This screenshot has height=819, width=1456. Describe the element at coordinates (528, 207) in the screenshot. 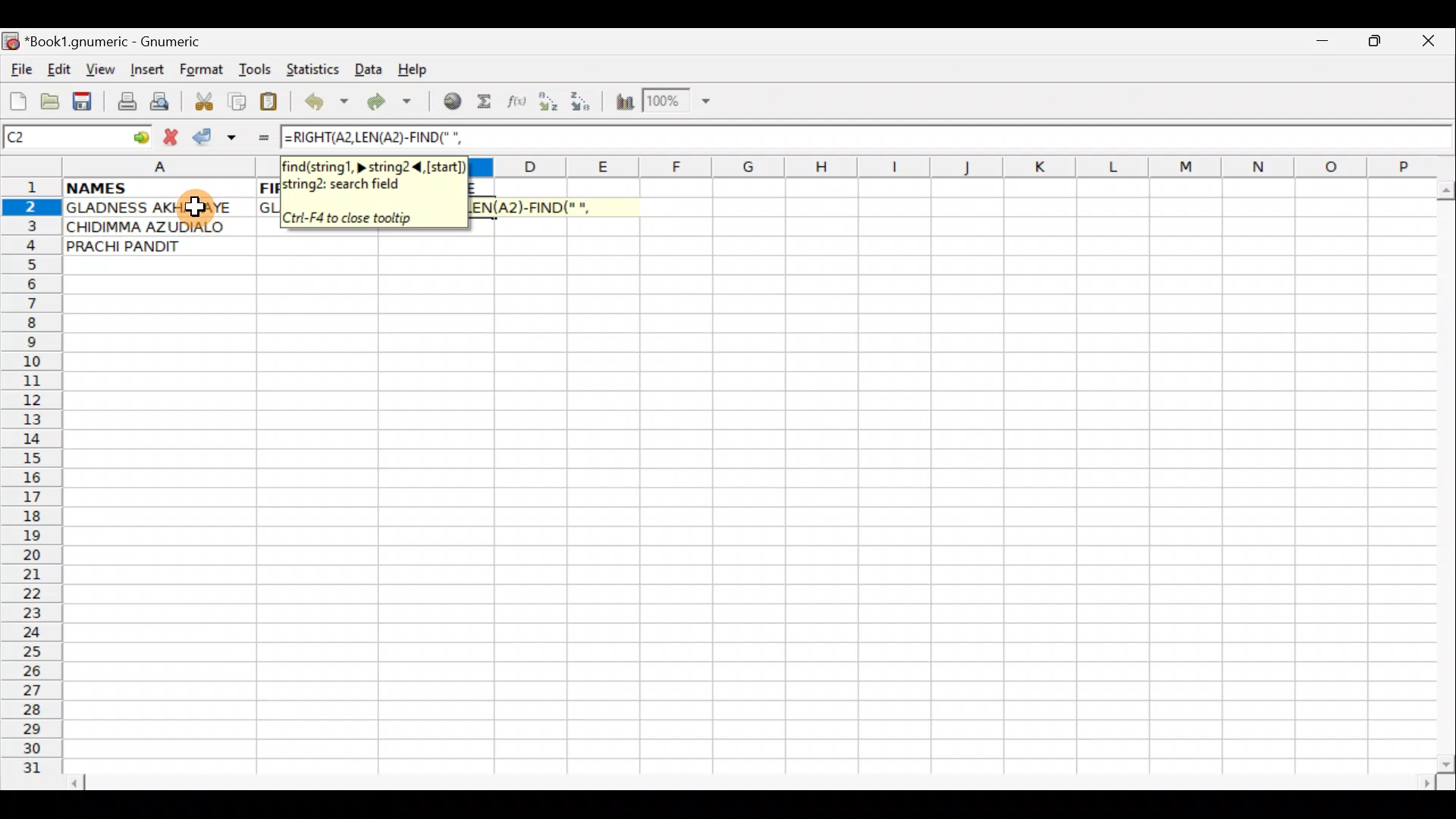

I see `=RIGHT(A2,LEN(A2)-FIND(" ",` at that location.